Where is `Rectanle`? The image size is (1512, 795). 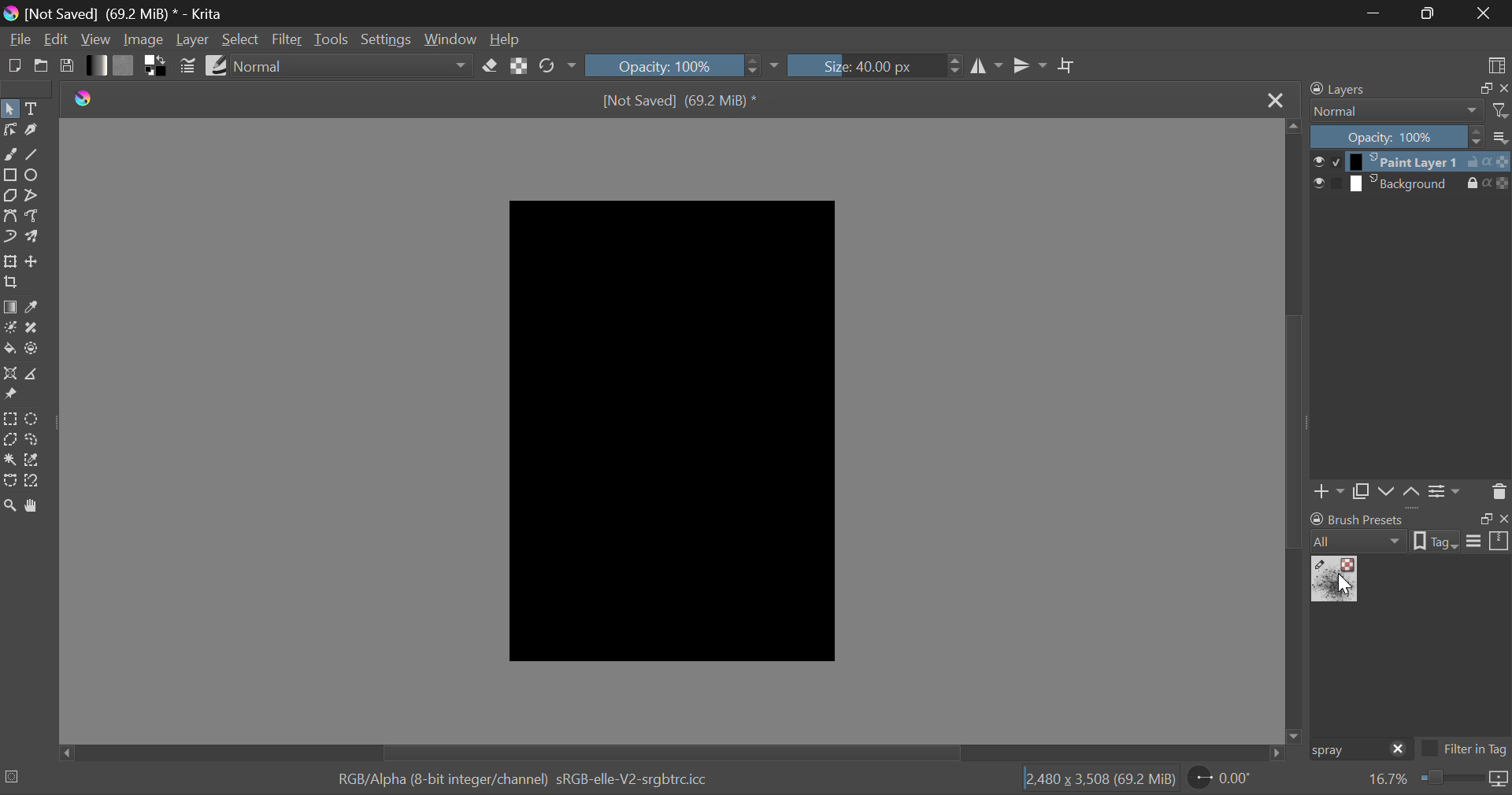
Rectanle is located at coordinates (10, 176).